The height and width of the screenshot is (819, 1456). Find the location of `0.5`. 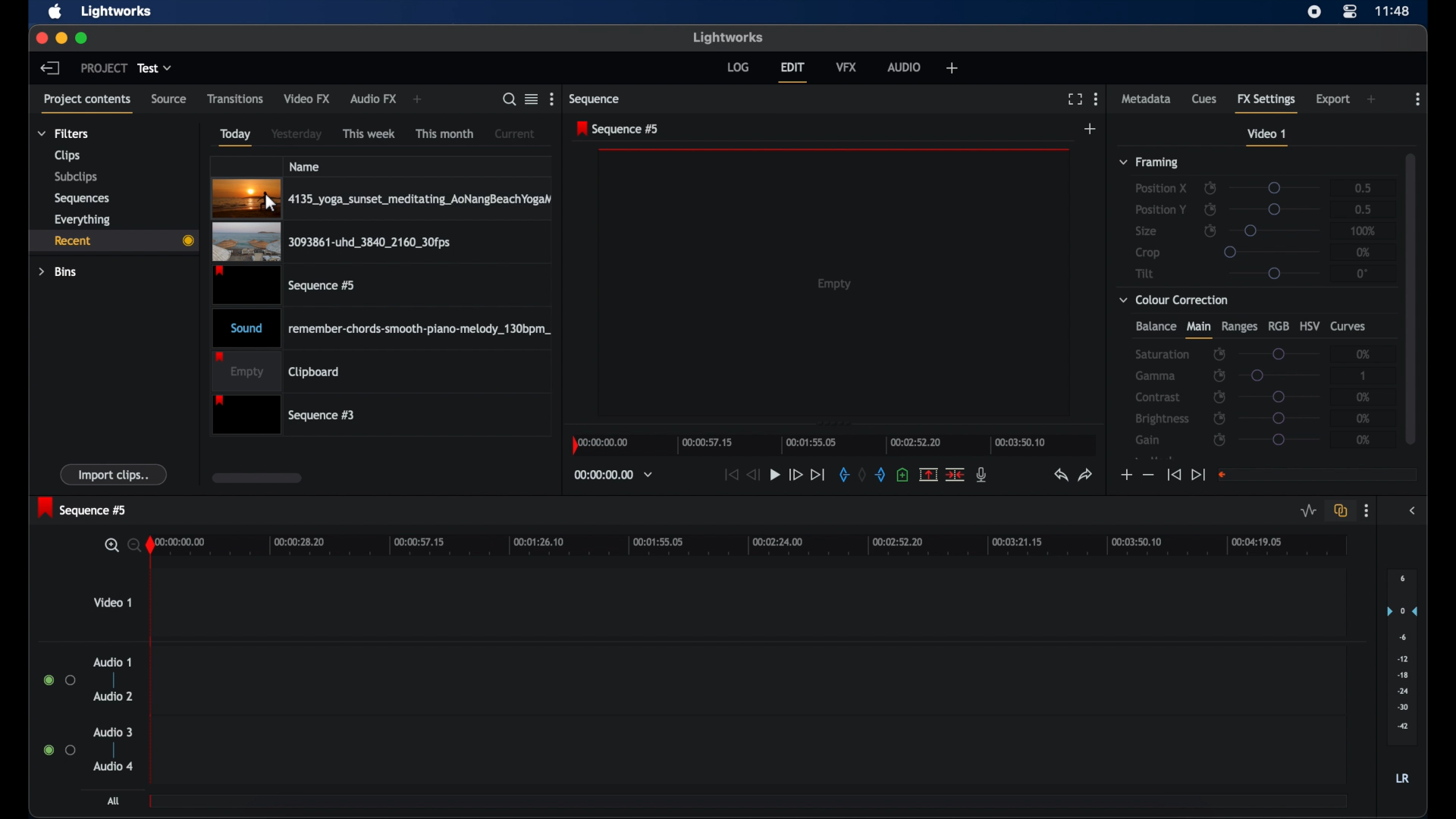

0.5 is located at coordinates (1361, 187).